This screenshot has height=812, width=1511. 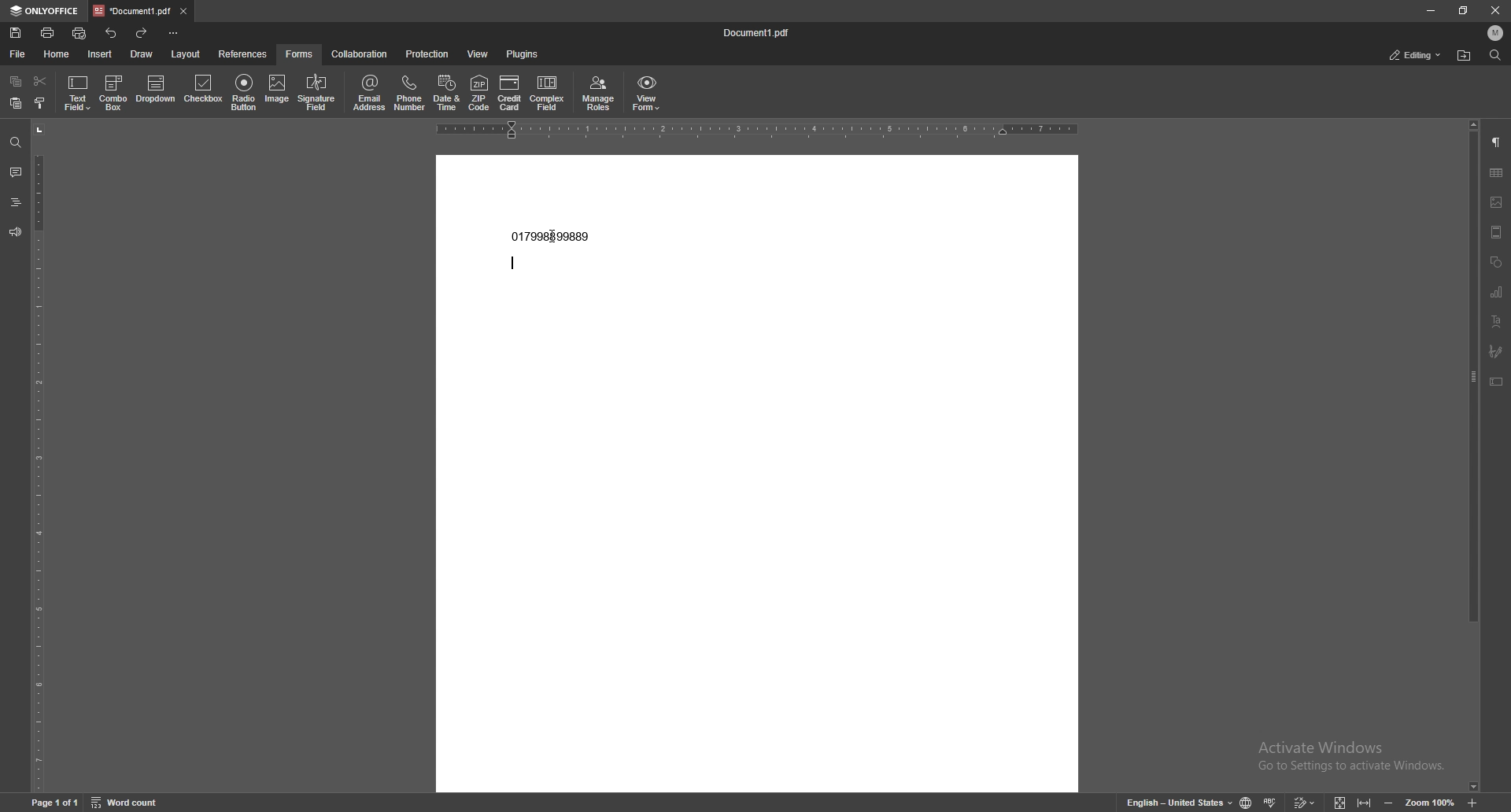 I want to click on zip code, so click(x=481, y=93).